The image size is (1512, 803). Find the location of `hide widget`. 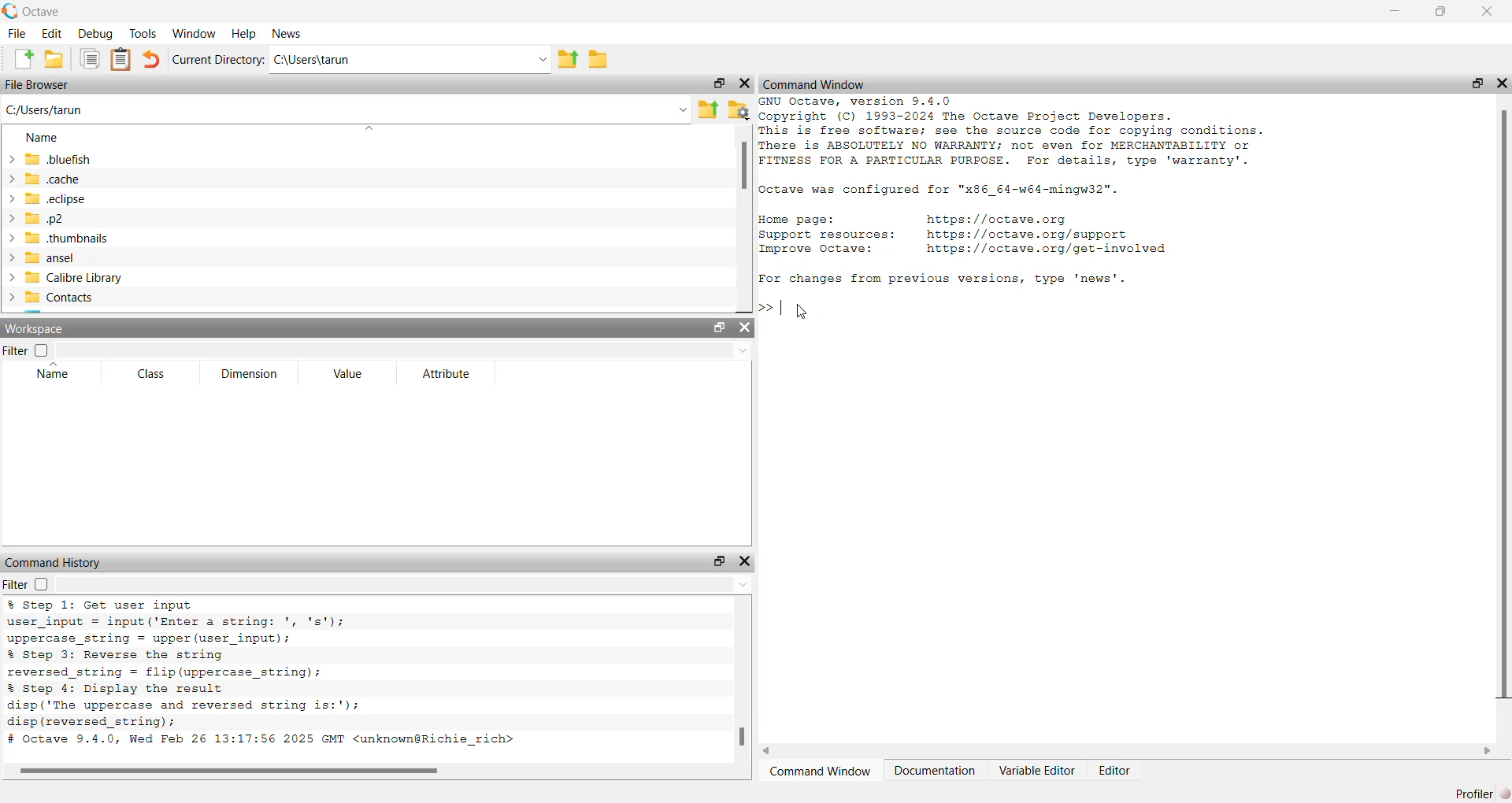

hide widget is located at coordinates (1503, 82).